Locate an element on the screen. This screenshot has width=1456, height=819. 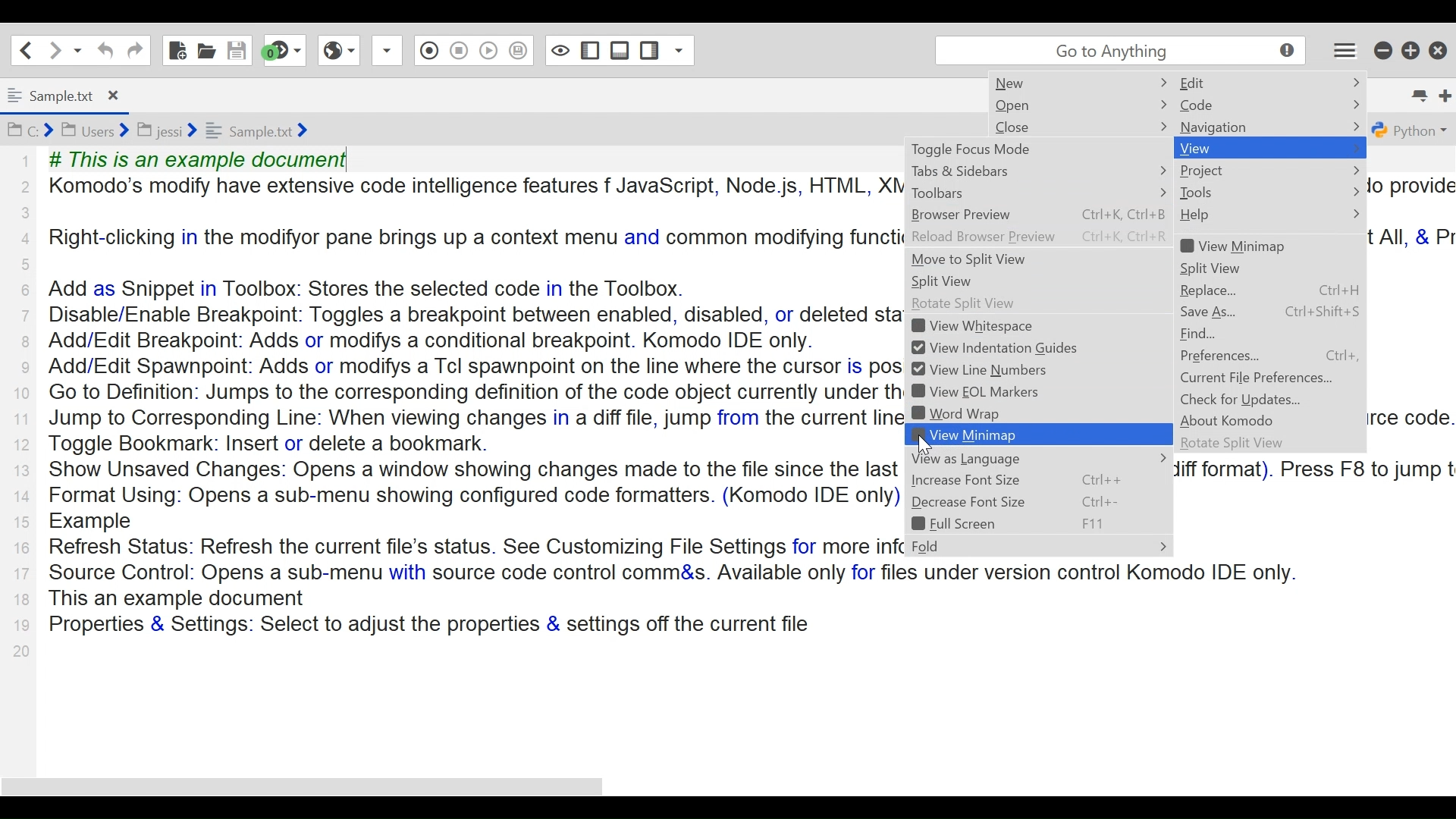
Decrease Font Size is located at coordinates (1037, 502).